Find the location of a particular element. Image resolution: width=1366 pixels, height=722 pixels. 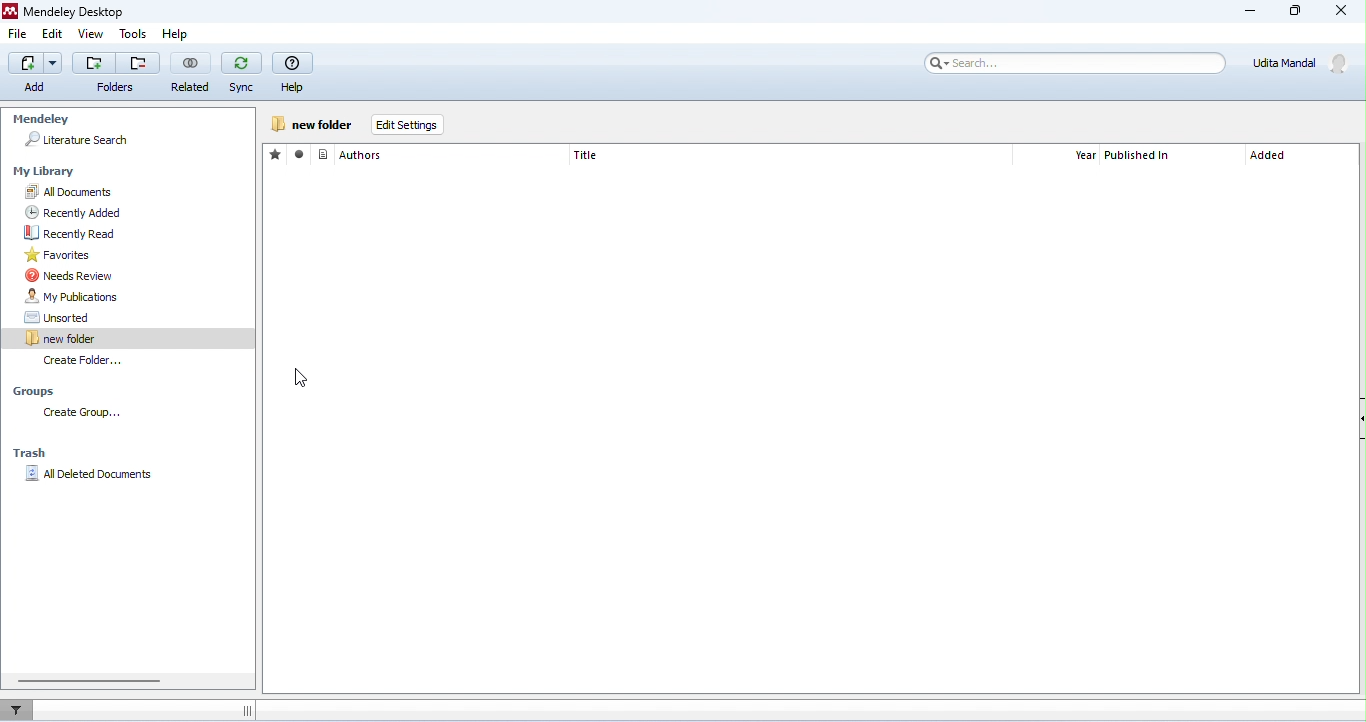

help is located at coordinates (293, 72).